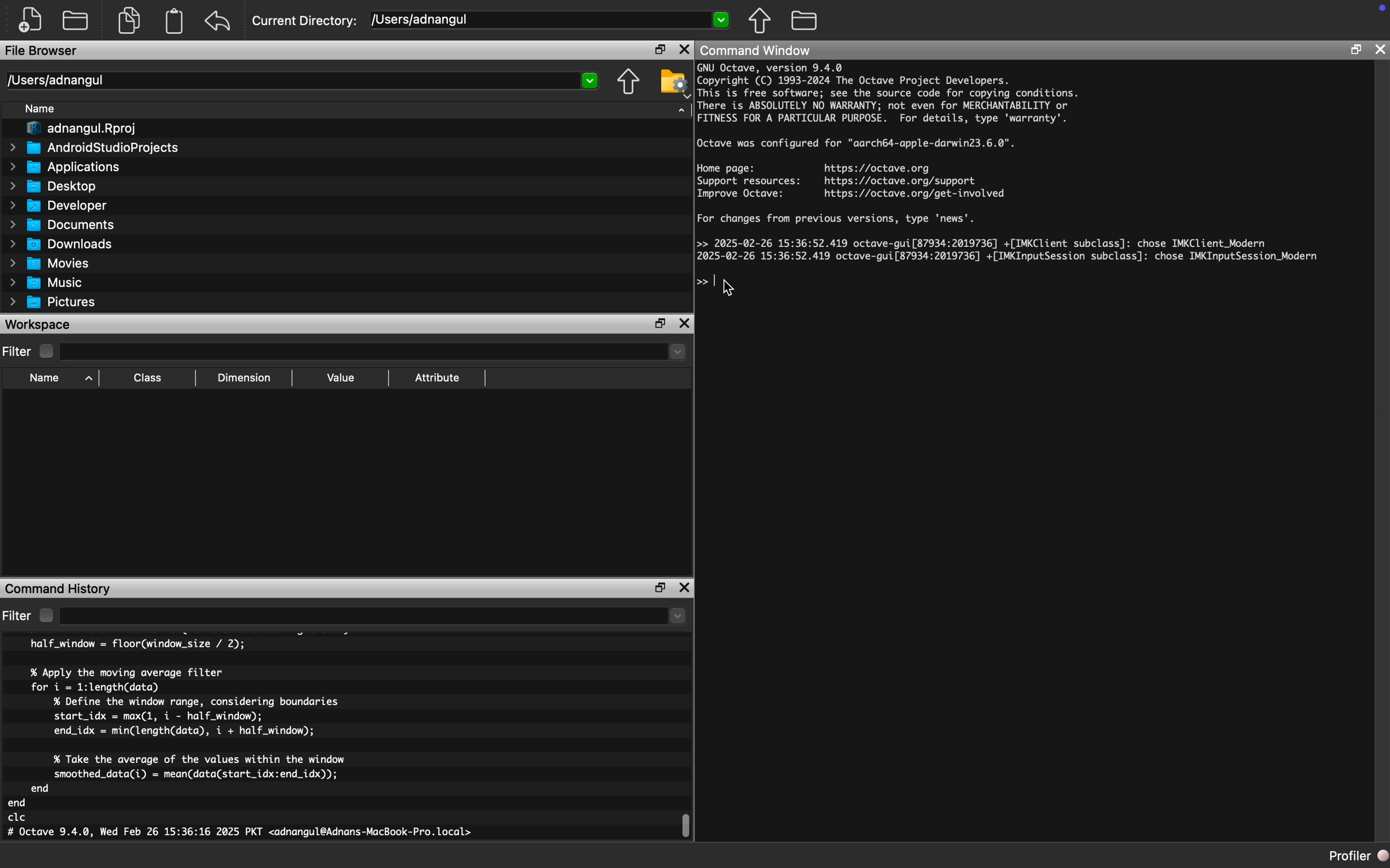 The width and height of the screenshot is (1390, 868). Describe the element at coordinates (731, 287) in the screenshot. I see `Cursor` at that location.